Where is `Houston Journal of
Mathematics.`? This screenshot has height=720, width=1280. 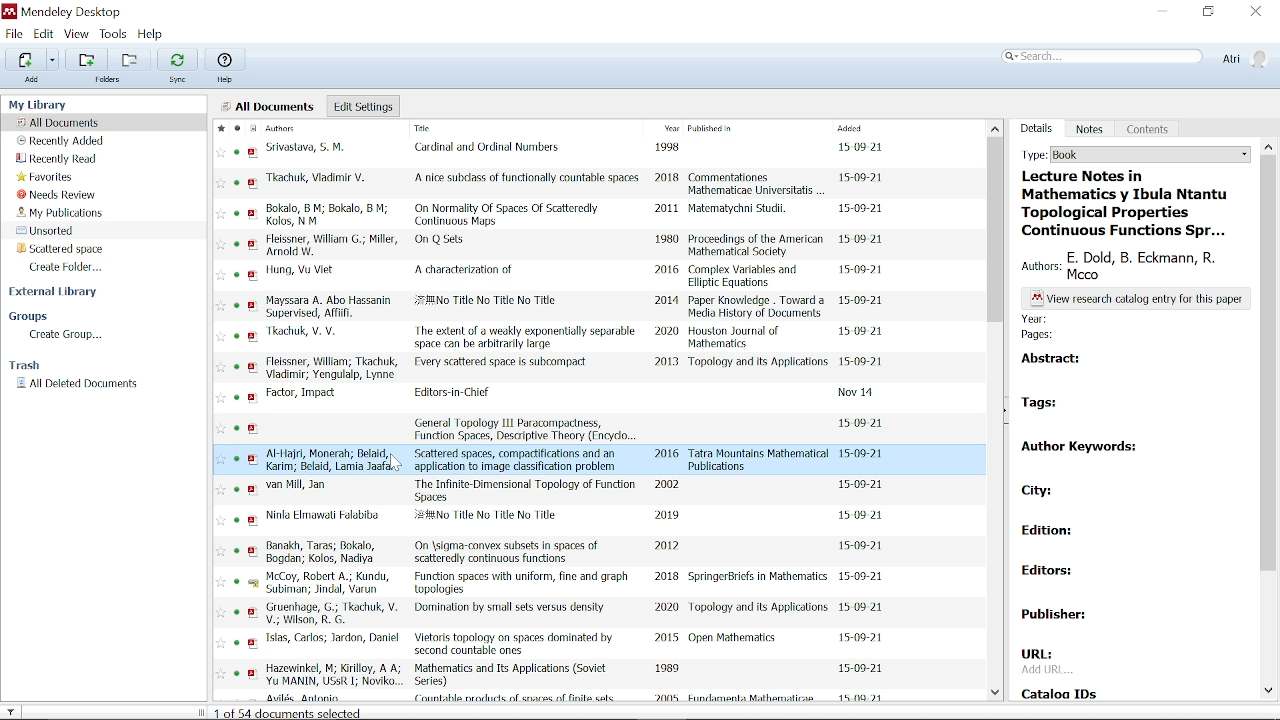
Houston Journal of
Mathematics. is located at coordinates (740, 338).